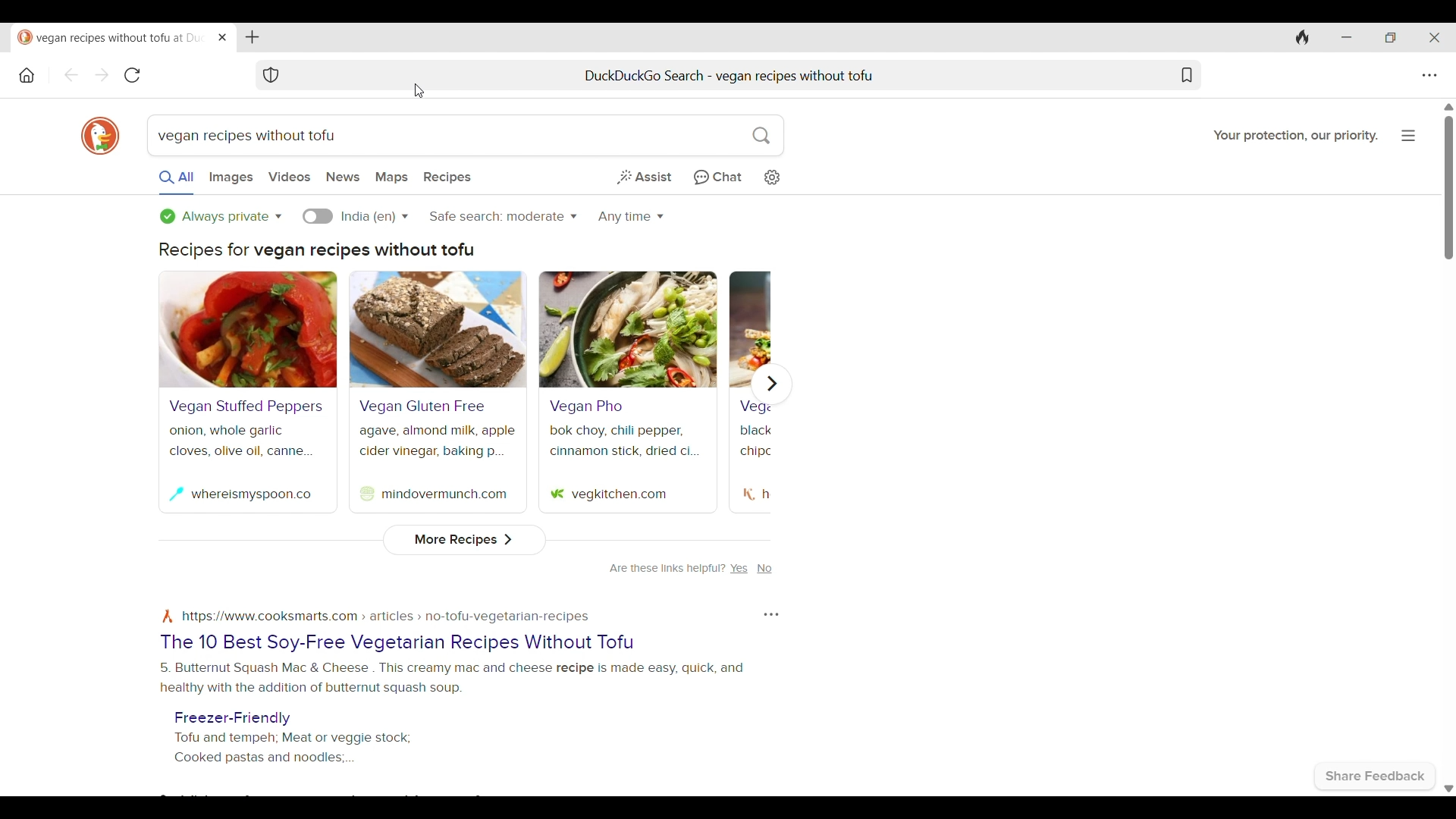 This screenshot has height=819, width=1456. What do you see at coordinates (1429, 76) in the screenshot?
I see `Browser settings` at bounding box center [1429, 76].